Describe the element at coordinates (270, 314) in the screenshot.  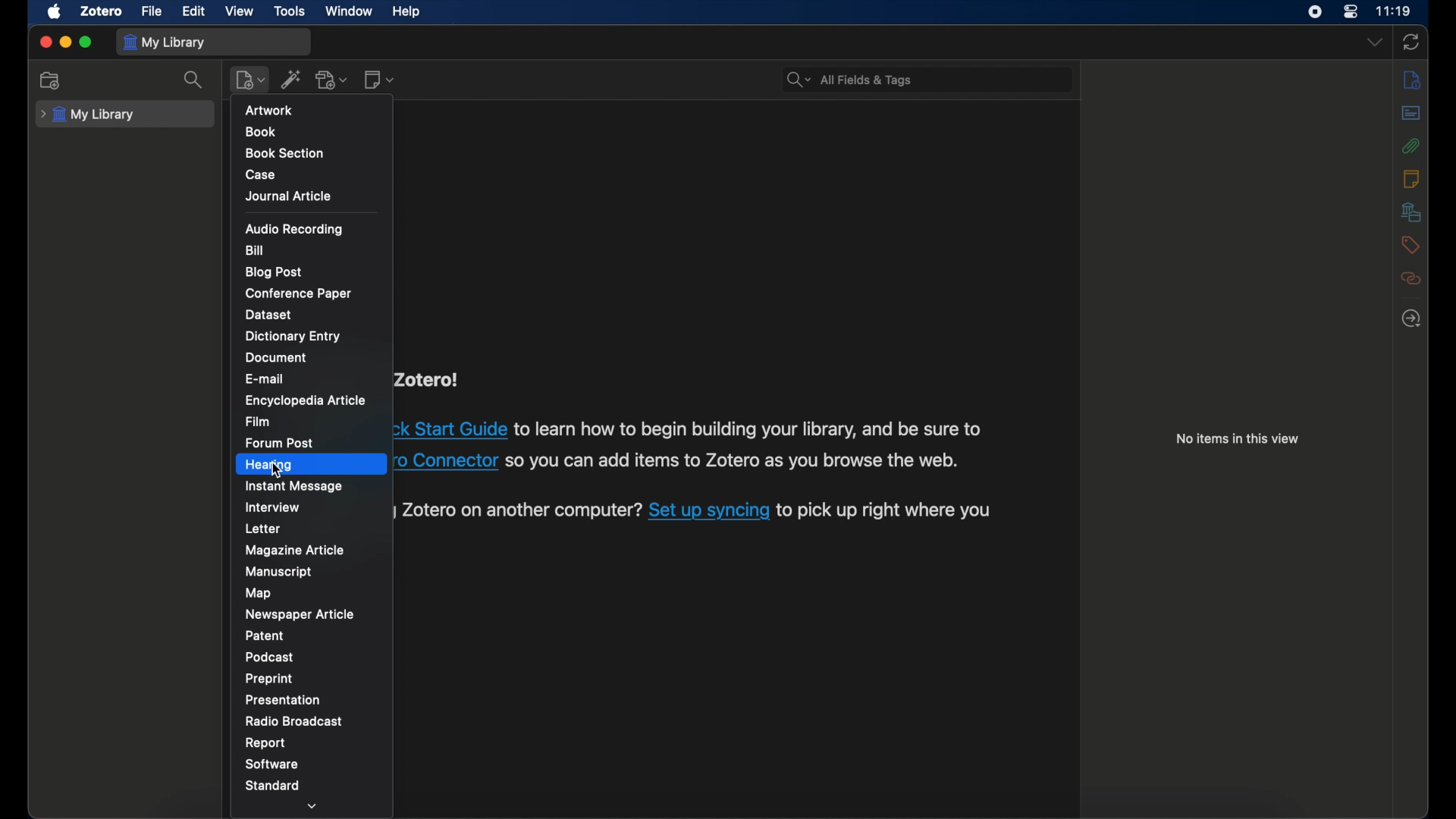
I see `dataset` at that location.